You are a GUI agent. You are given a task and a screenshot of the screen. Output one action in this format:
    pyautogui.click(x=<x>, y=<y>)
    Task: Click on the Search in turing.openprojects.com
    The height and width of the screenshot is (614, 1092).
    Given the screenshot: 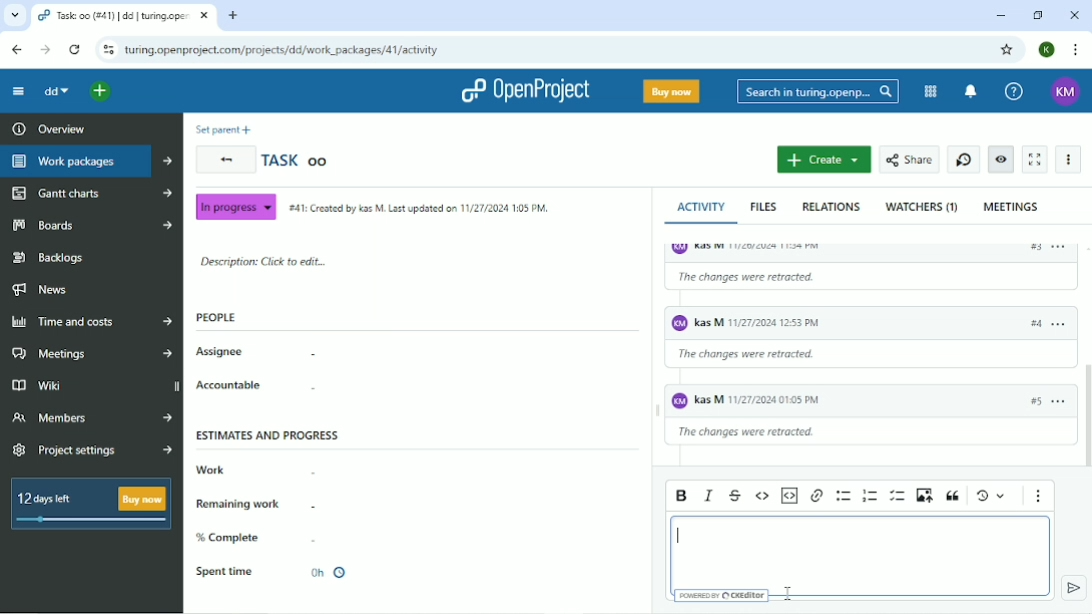 What is the action you would take?
    pyautogui.click(x=817, y=91)
    